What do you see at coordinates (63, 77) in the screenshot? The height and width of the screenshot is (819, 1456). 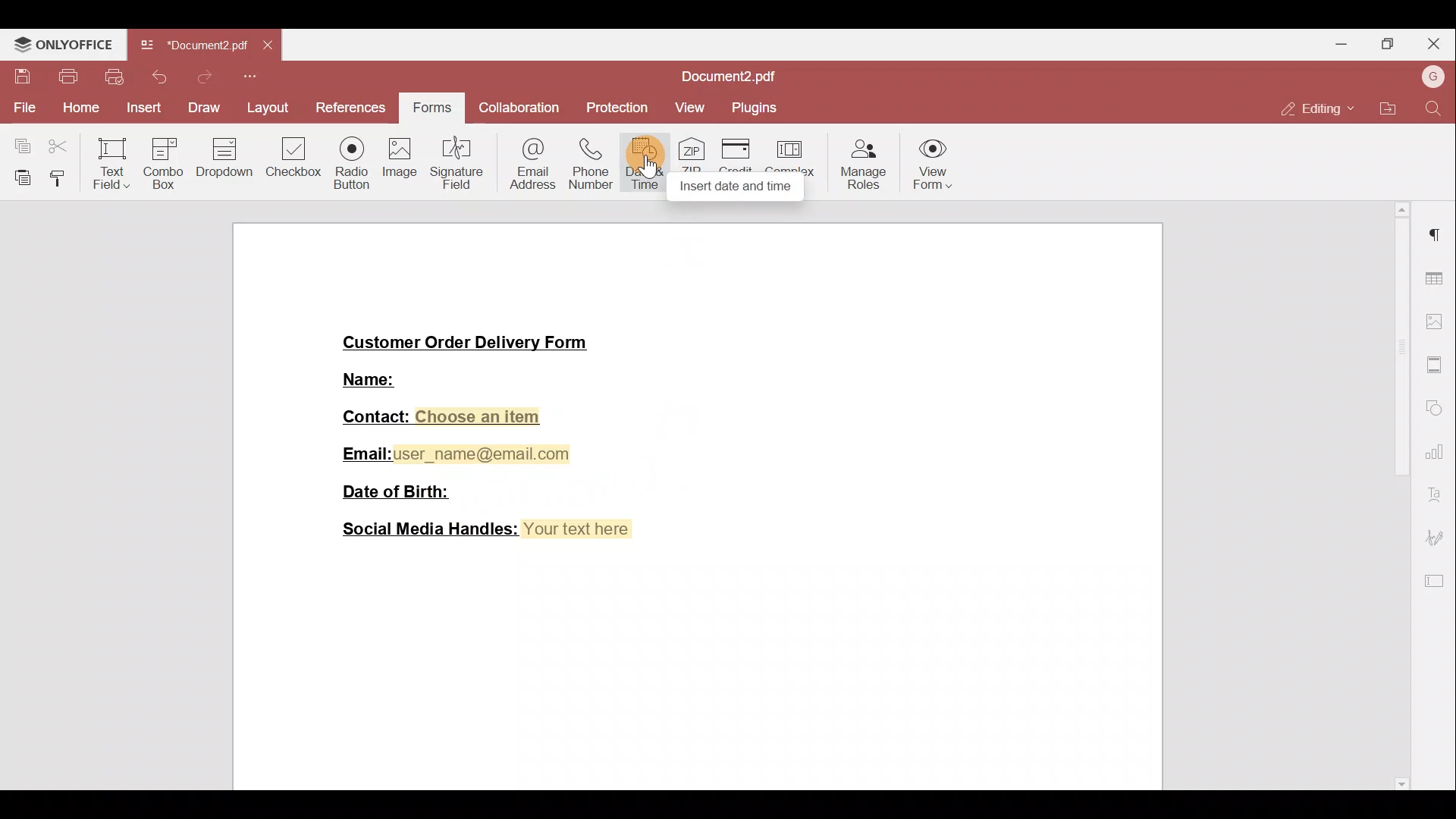 I see `Print file` at bounding box center [63, 77].